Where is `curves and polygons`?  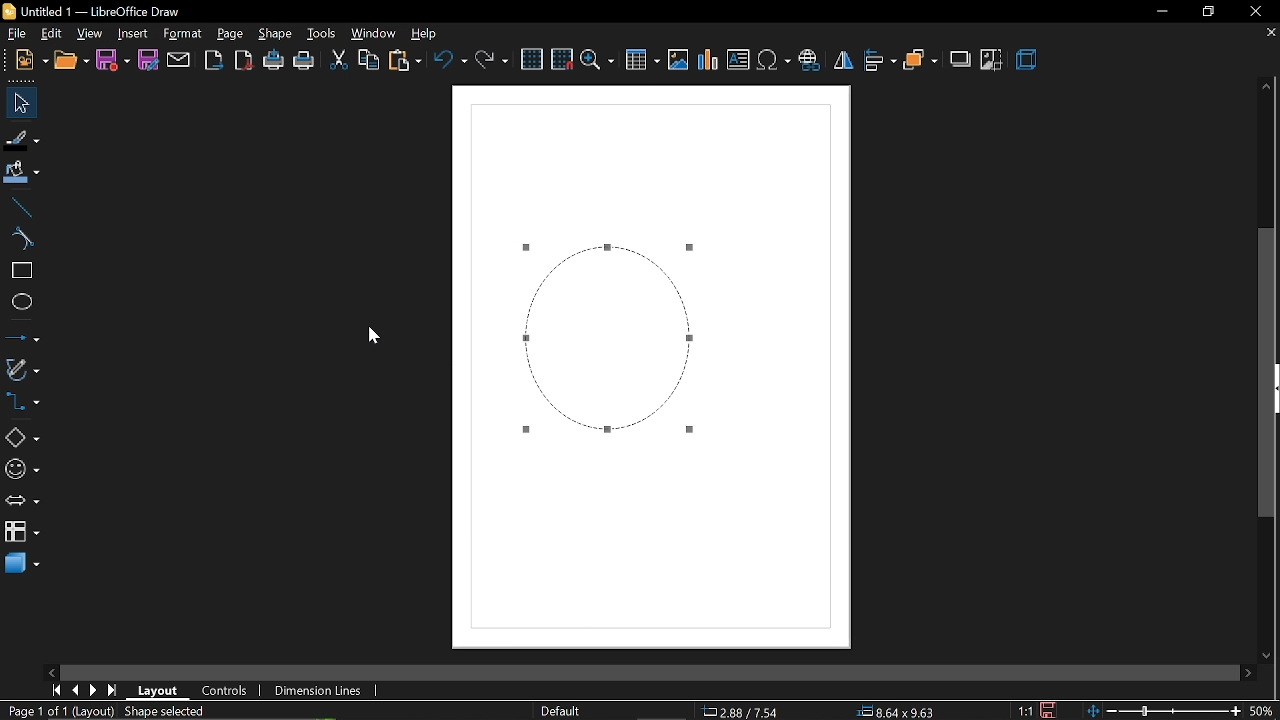 curves and polygons is located at coordinates (24, 369).